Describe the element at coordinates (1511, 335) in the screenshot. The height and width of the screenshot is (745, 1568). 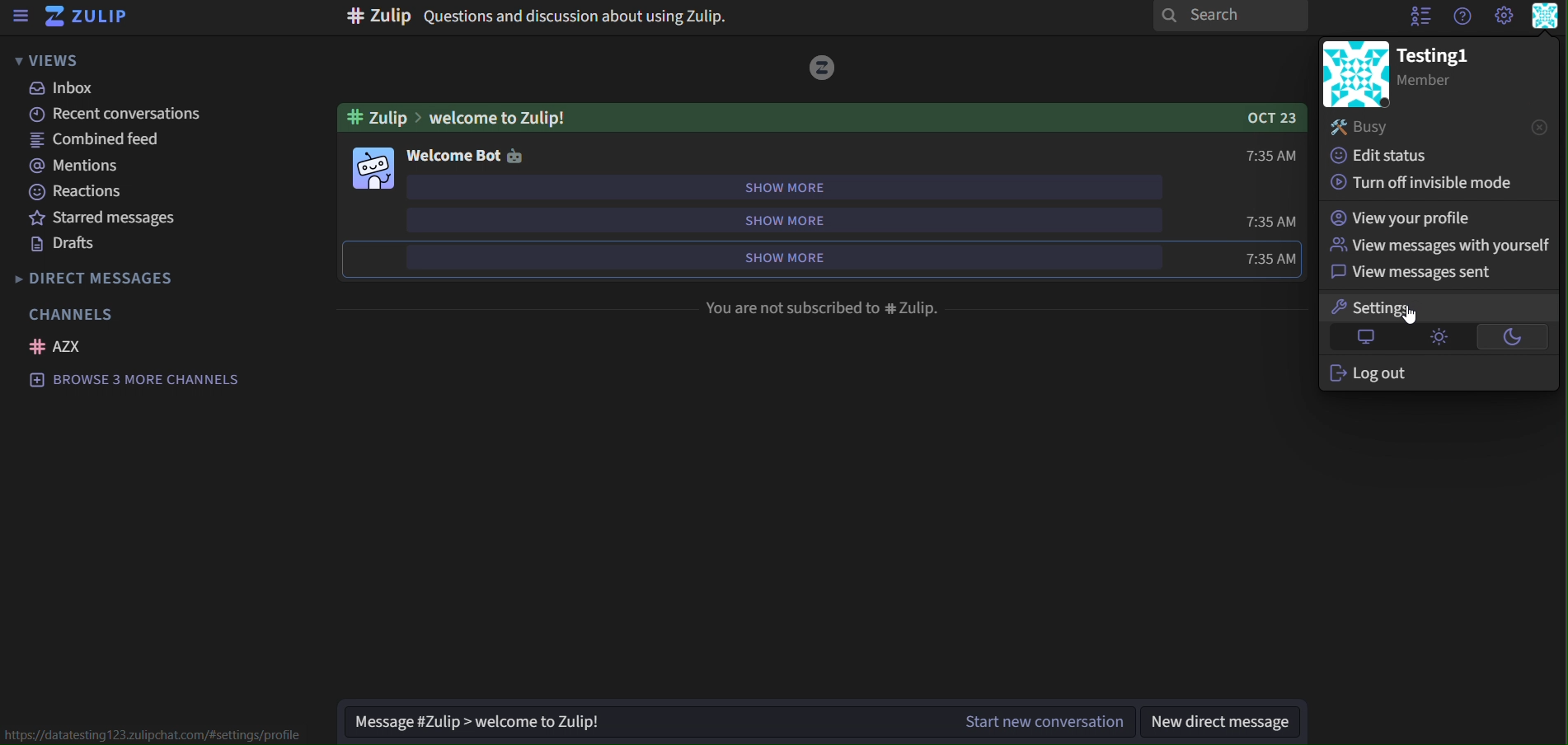
I see `dark theme` at that location.